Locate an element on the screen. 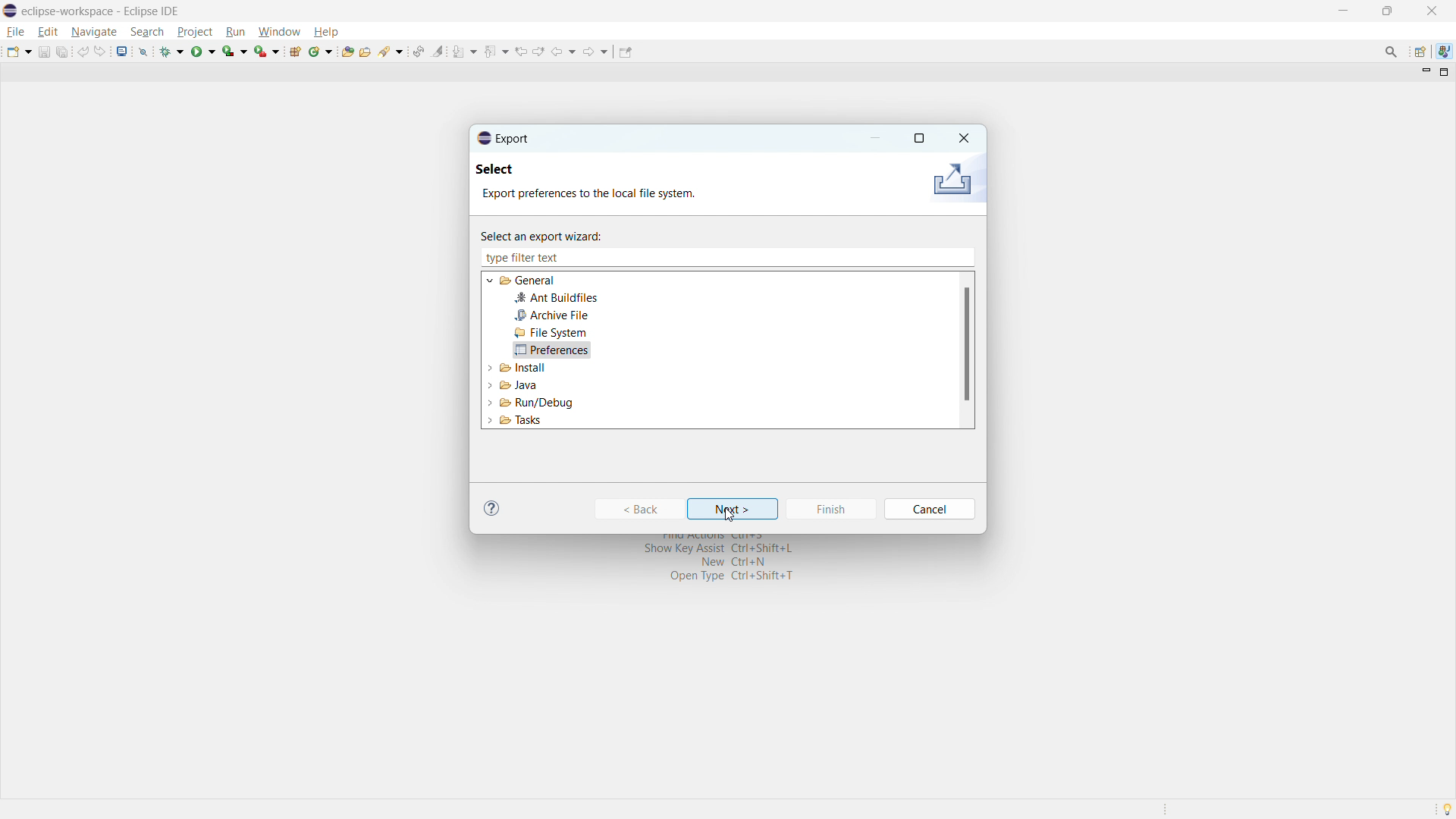 Image resolution: width=1456 pixels, height=819 pixels. open type is located at coordinates (347, 51).